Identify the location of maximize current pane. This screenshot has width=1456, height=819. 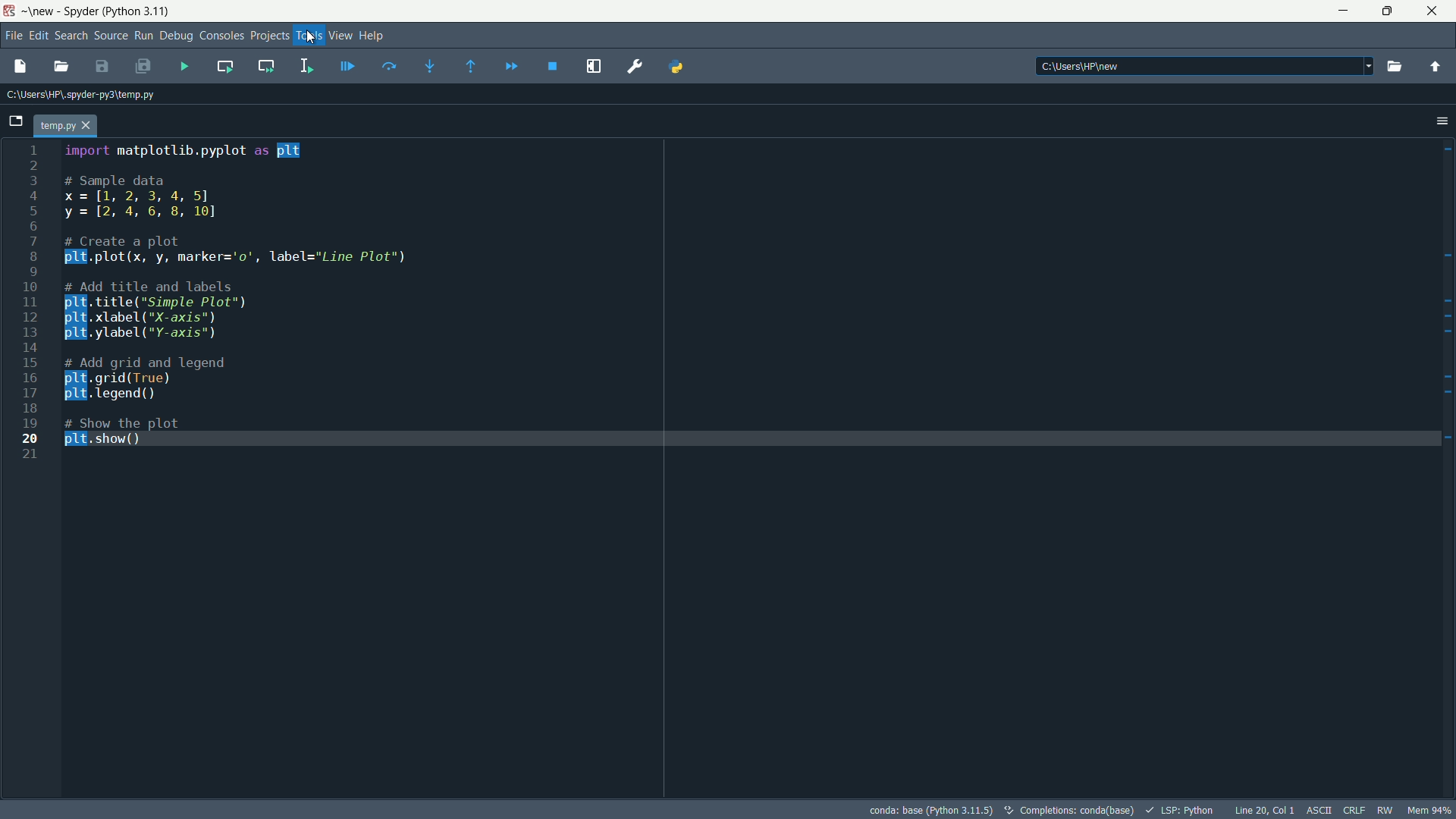
(593, 66).